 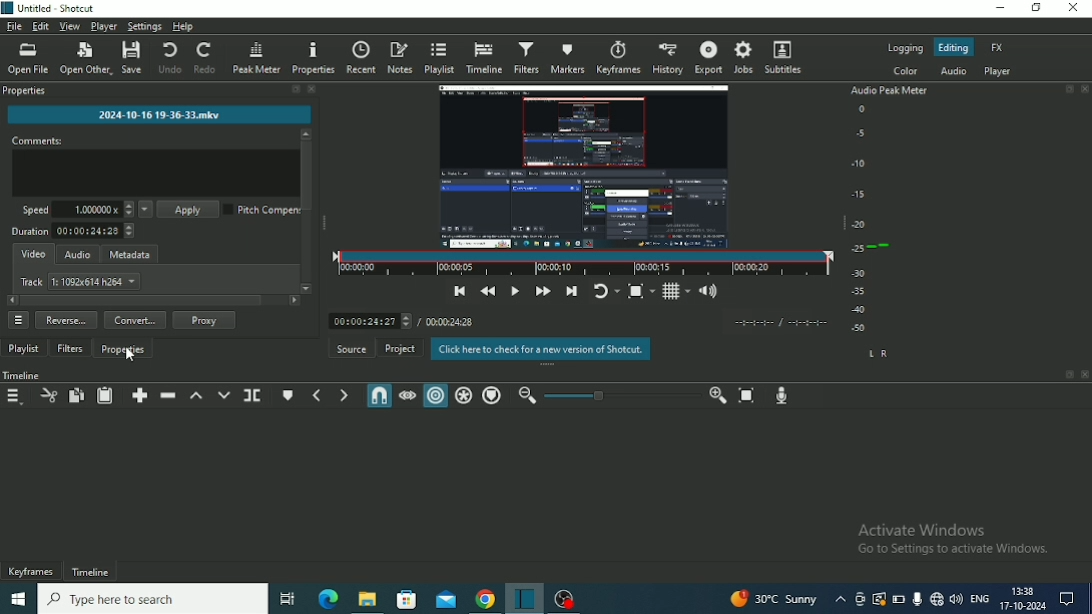 I want to click on Timeline, so click(x=483, y=57).